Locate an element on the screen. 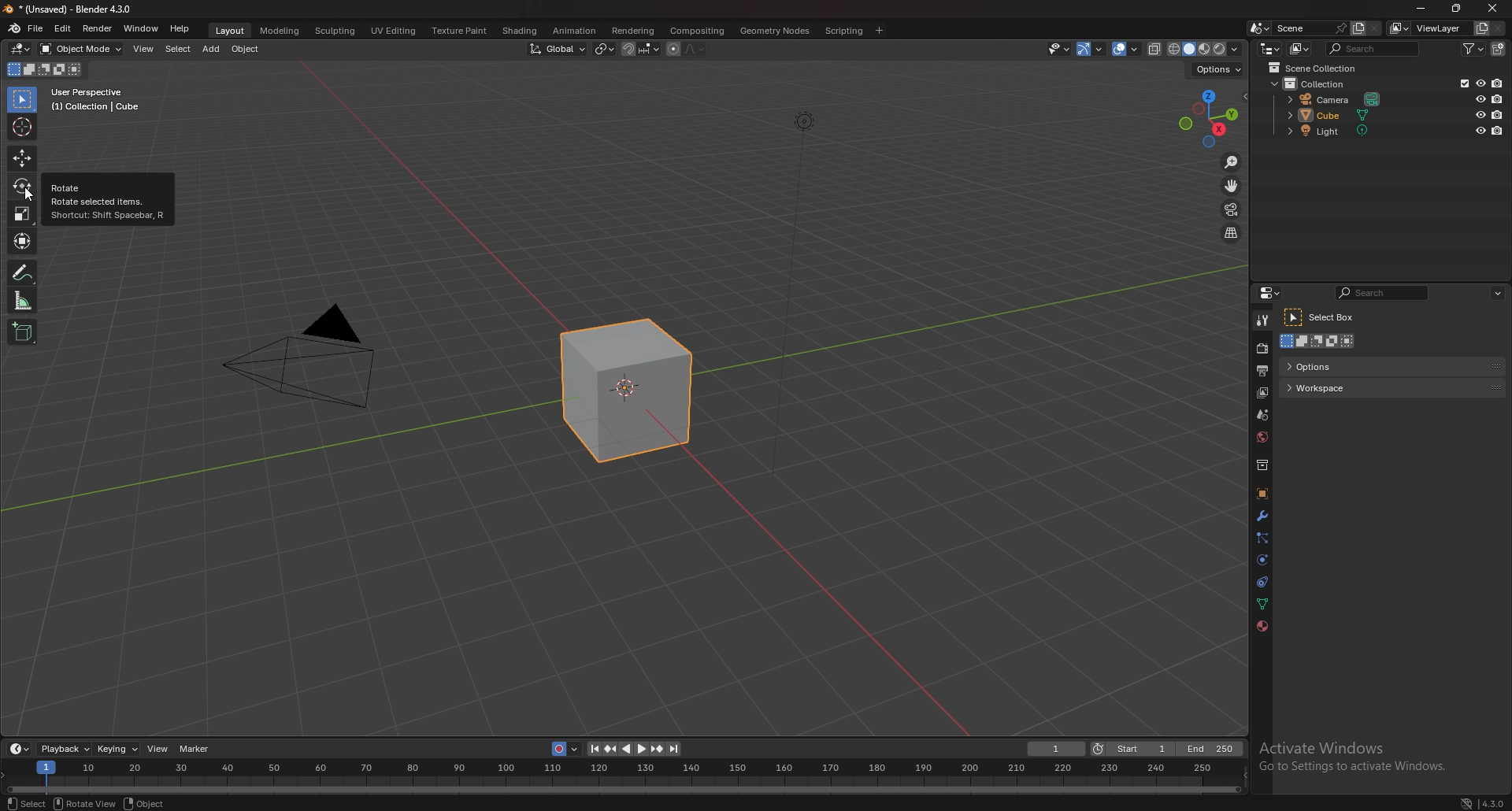 The width and height of the screenshot is (1512, 811). ‘Shortcut: Shift Spacebar, R is located at coordinates (108, 215).